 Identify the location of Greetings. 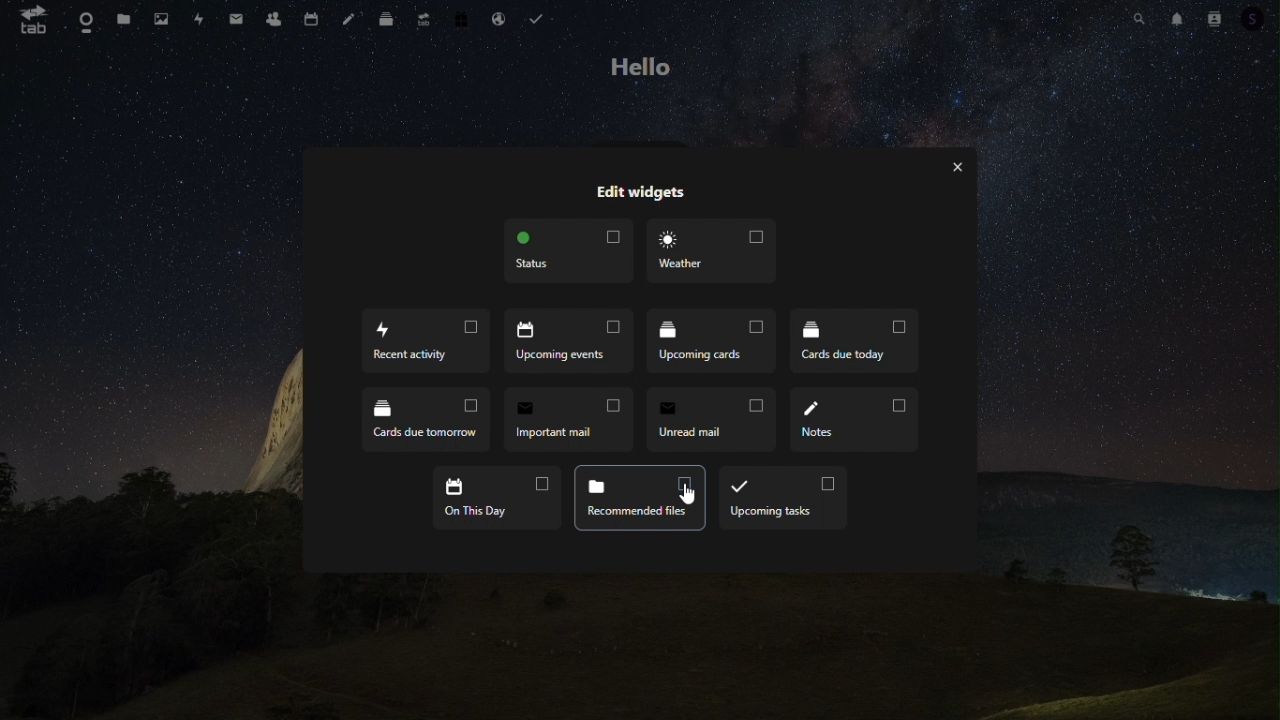
(640, 69).